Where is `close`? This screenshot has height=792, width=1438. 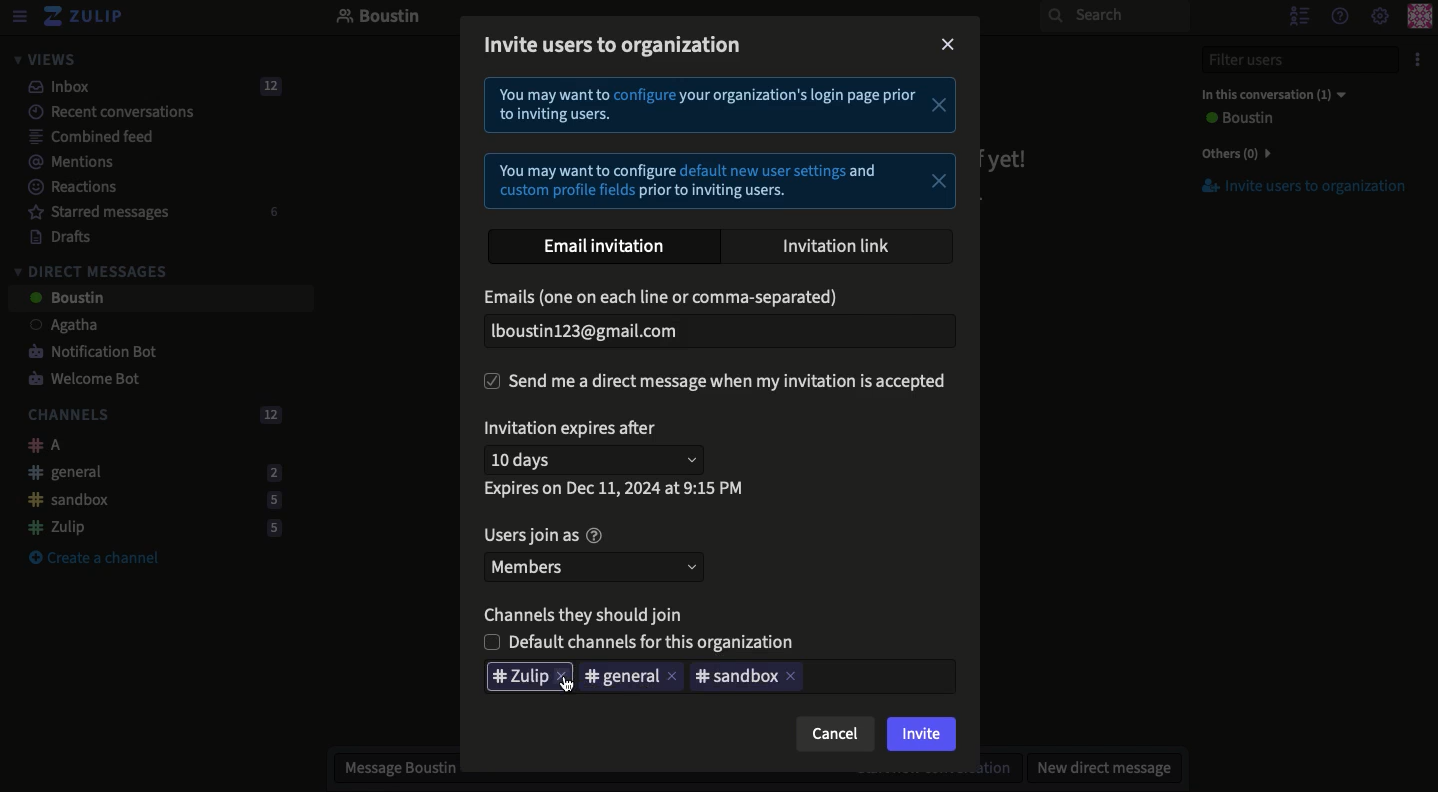
close is located at coordinates (674, 678).